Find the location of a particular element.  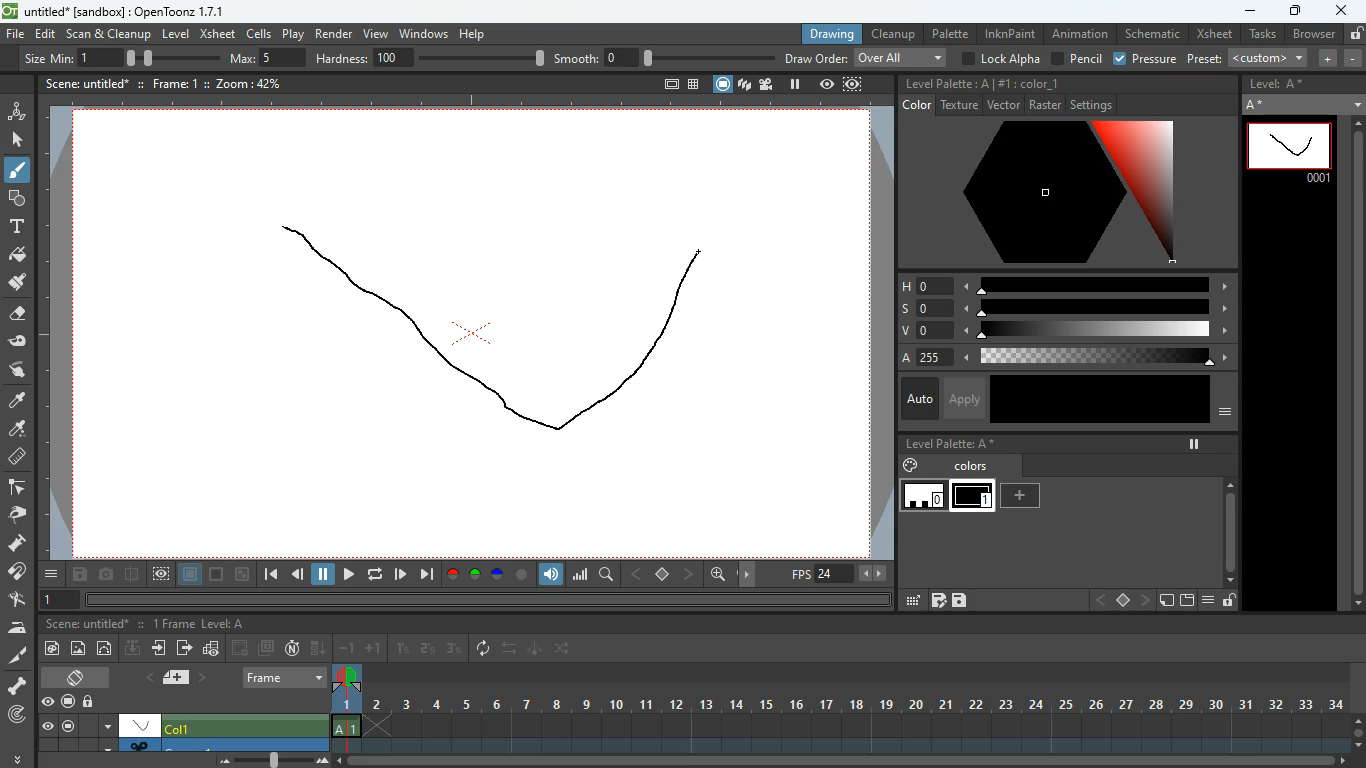

color  is located at coordinates (1098, 400).